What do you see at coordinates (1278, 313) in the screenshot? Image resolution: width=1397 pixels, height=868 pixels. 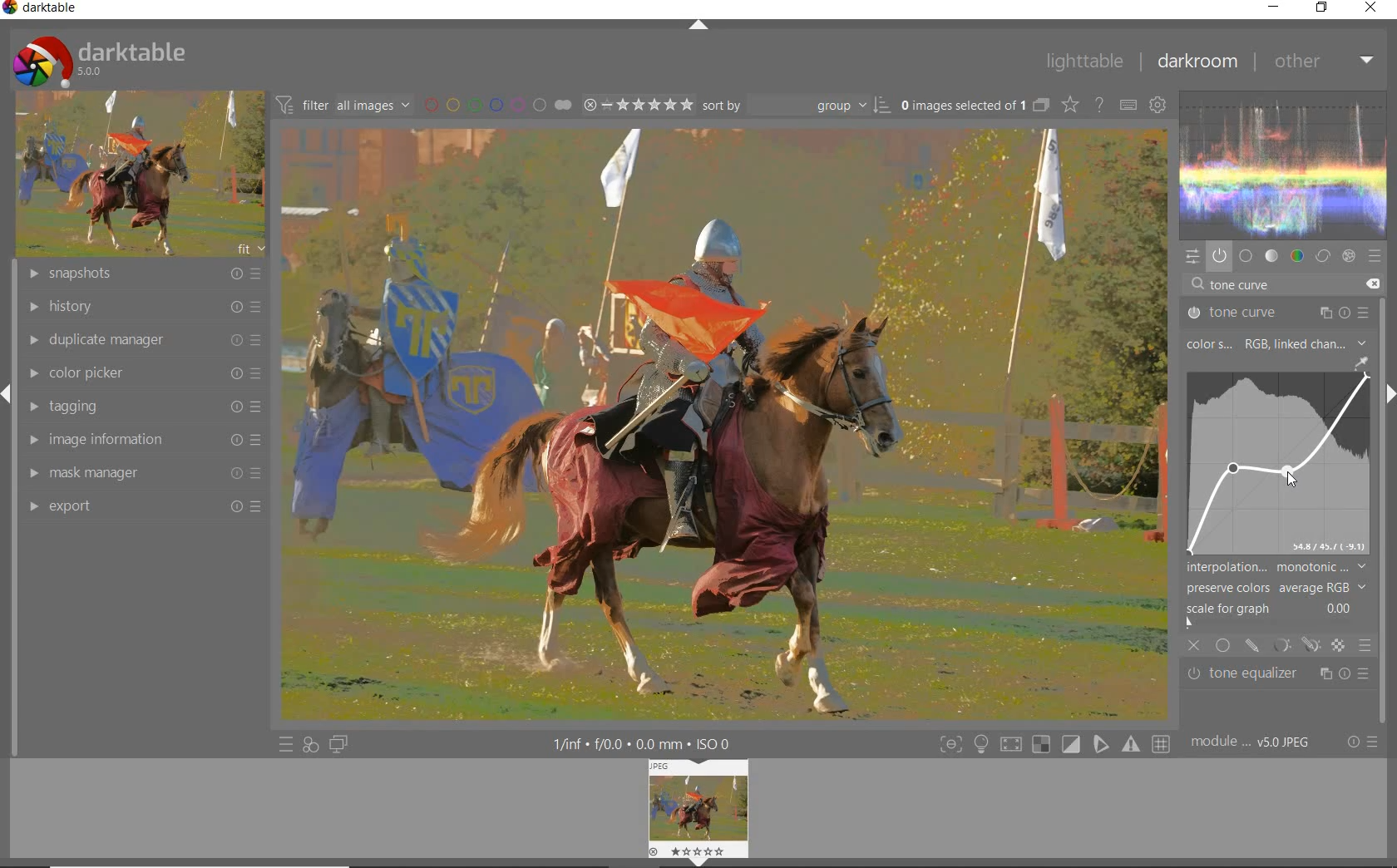 I see `tone curve` at bounding box center [1278, 313].